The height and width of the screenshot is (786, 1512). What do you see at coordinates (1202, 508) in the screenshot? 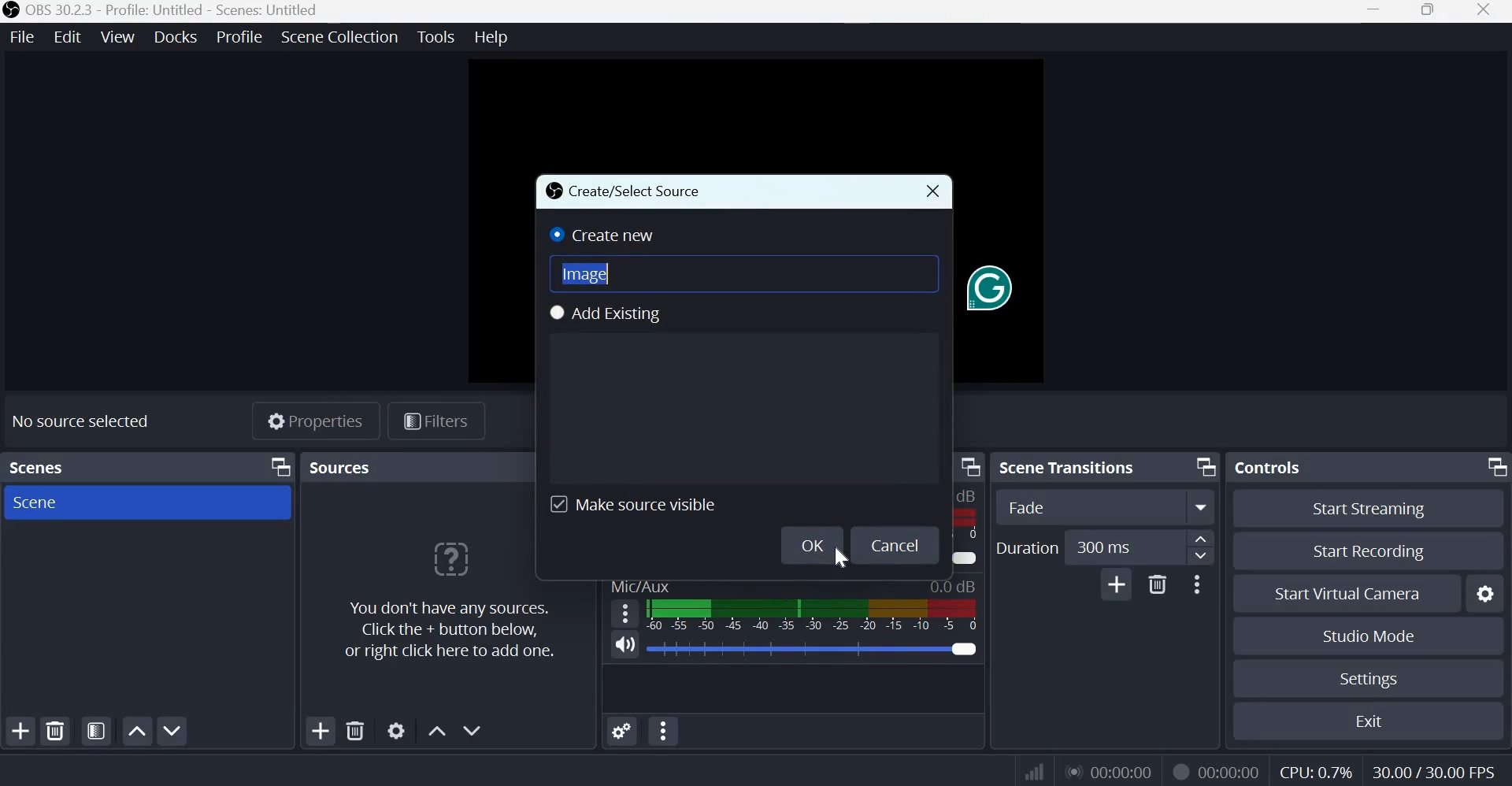
I see `More options` at bounding box center [1202, 508].